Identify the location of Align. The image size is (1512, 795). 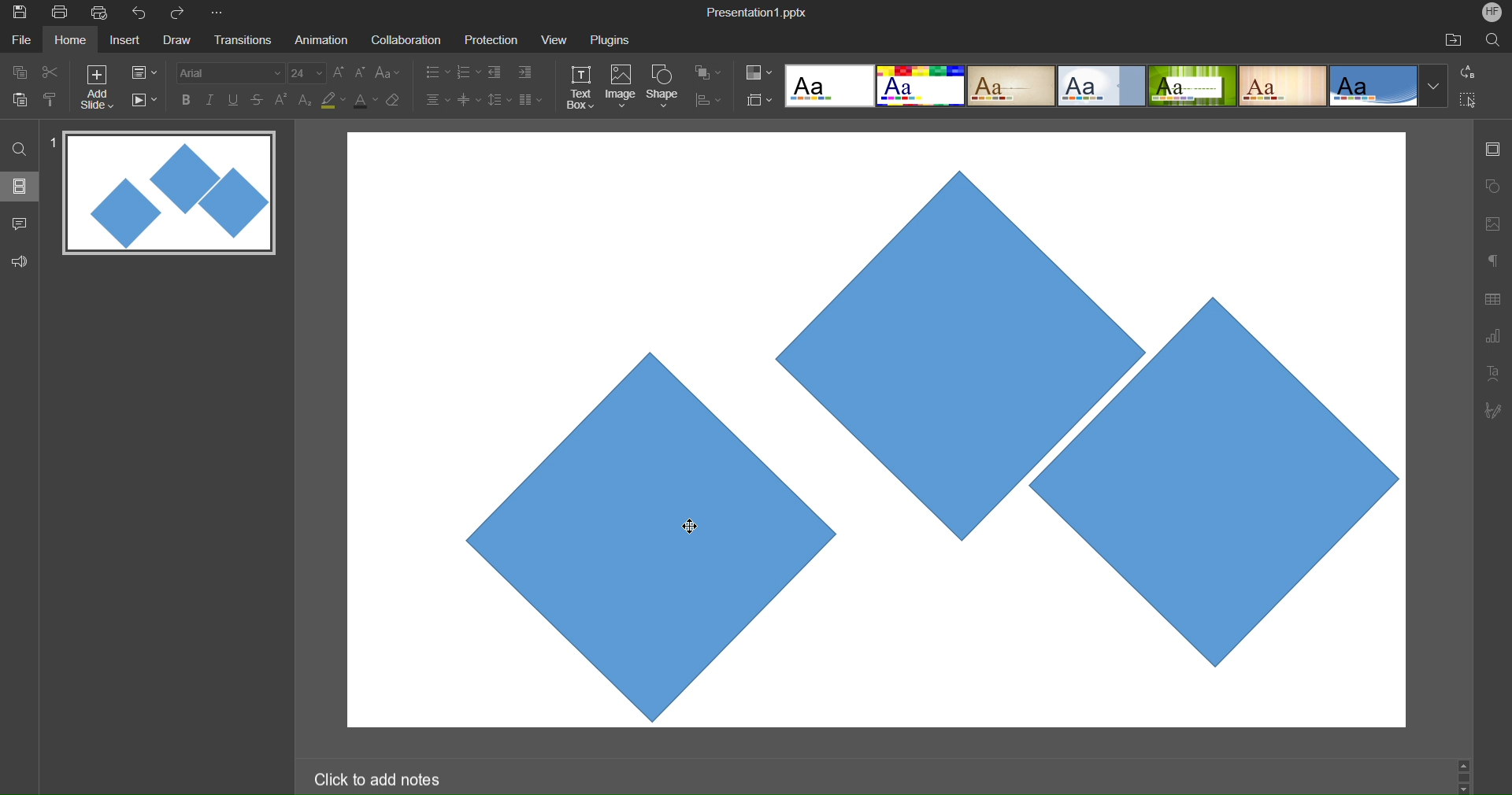
(708, 101).